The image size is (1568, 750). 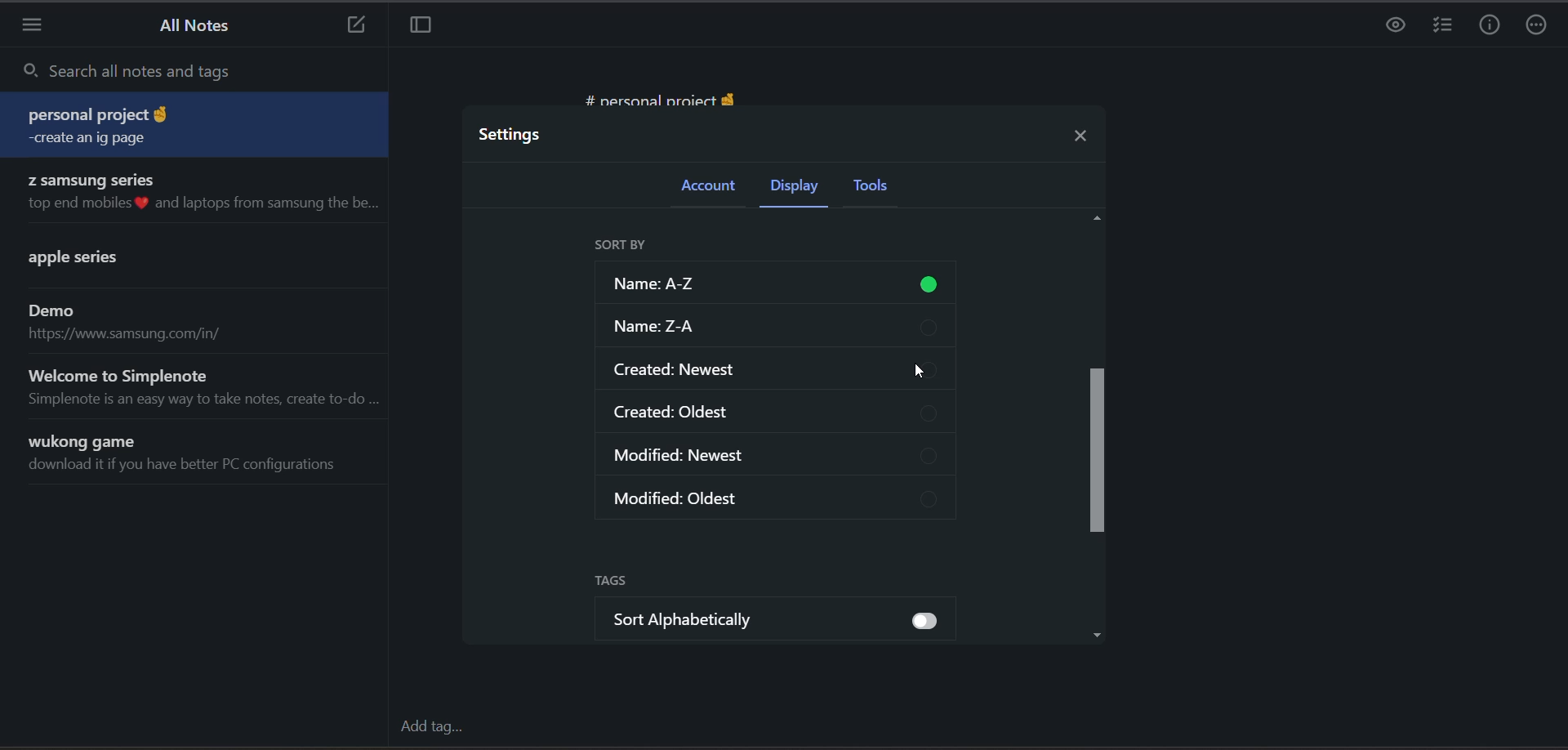 I want to click on tags, so click(x=621, y=580).